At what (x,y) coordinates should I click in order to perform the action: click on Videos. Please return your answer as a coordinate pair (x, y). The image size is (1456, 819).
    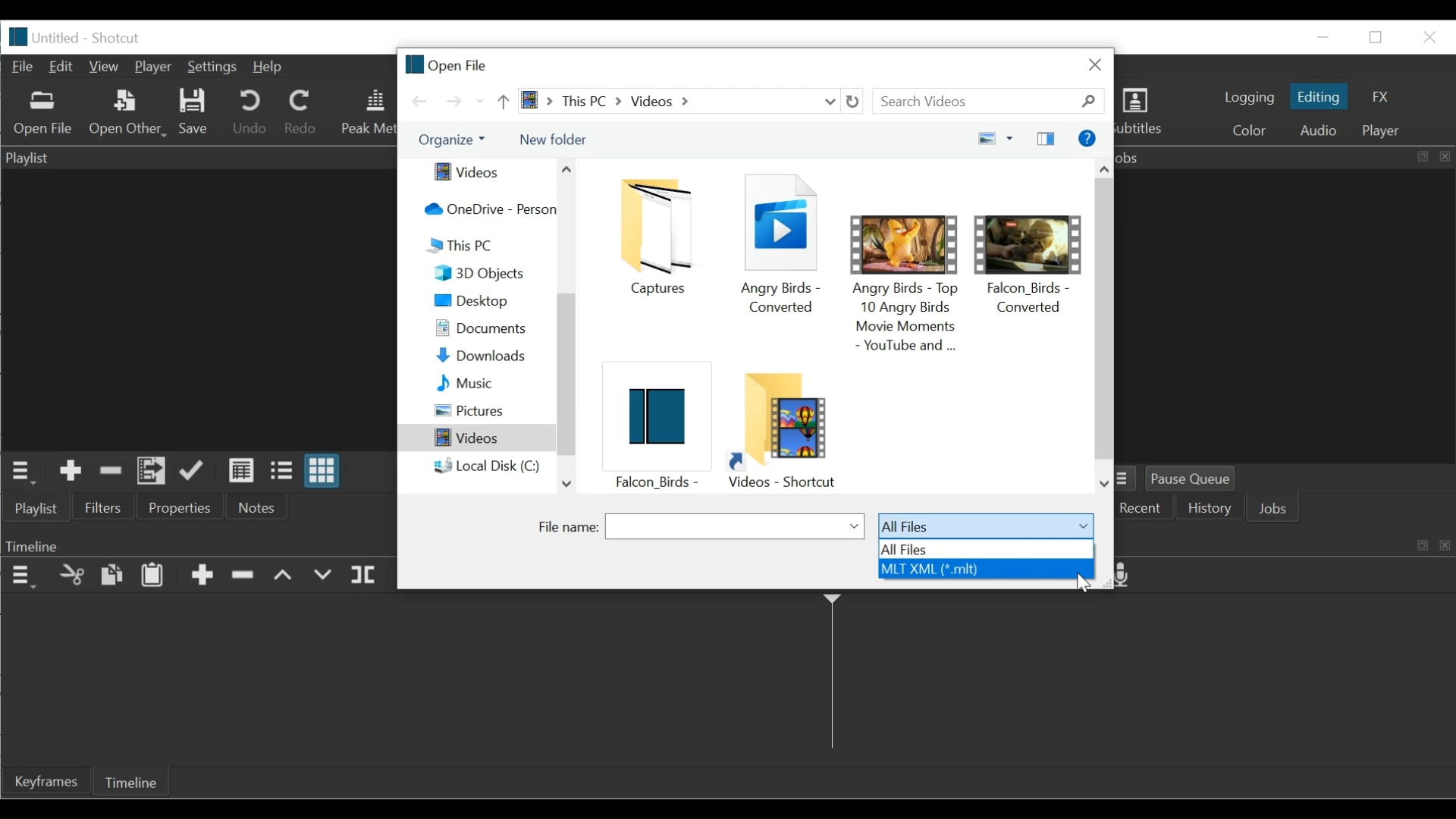
    Looking at the image, I should click on (476, 438).